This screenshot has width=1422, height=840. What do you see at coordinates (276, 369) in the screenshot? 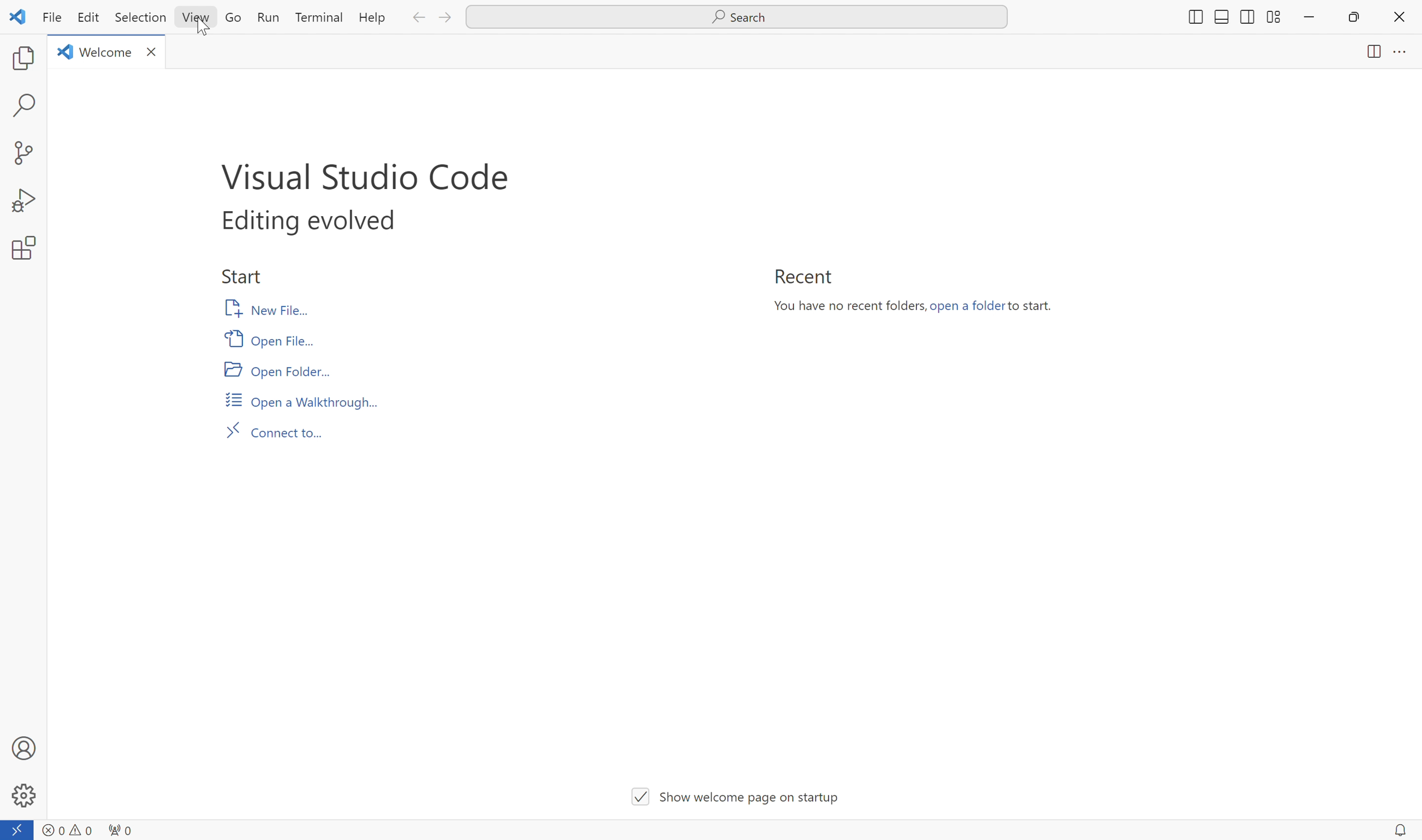
I see `Open Folder` at bounding box center [276, 369].